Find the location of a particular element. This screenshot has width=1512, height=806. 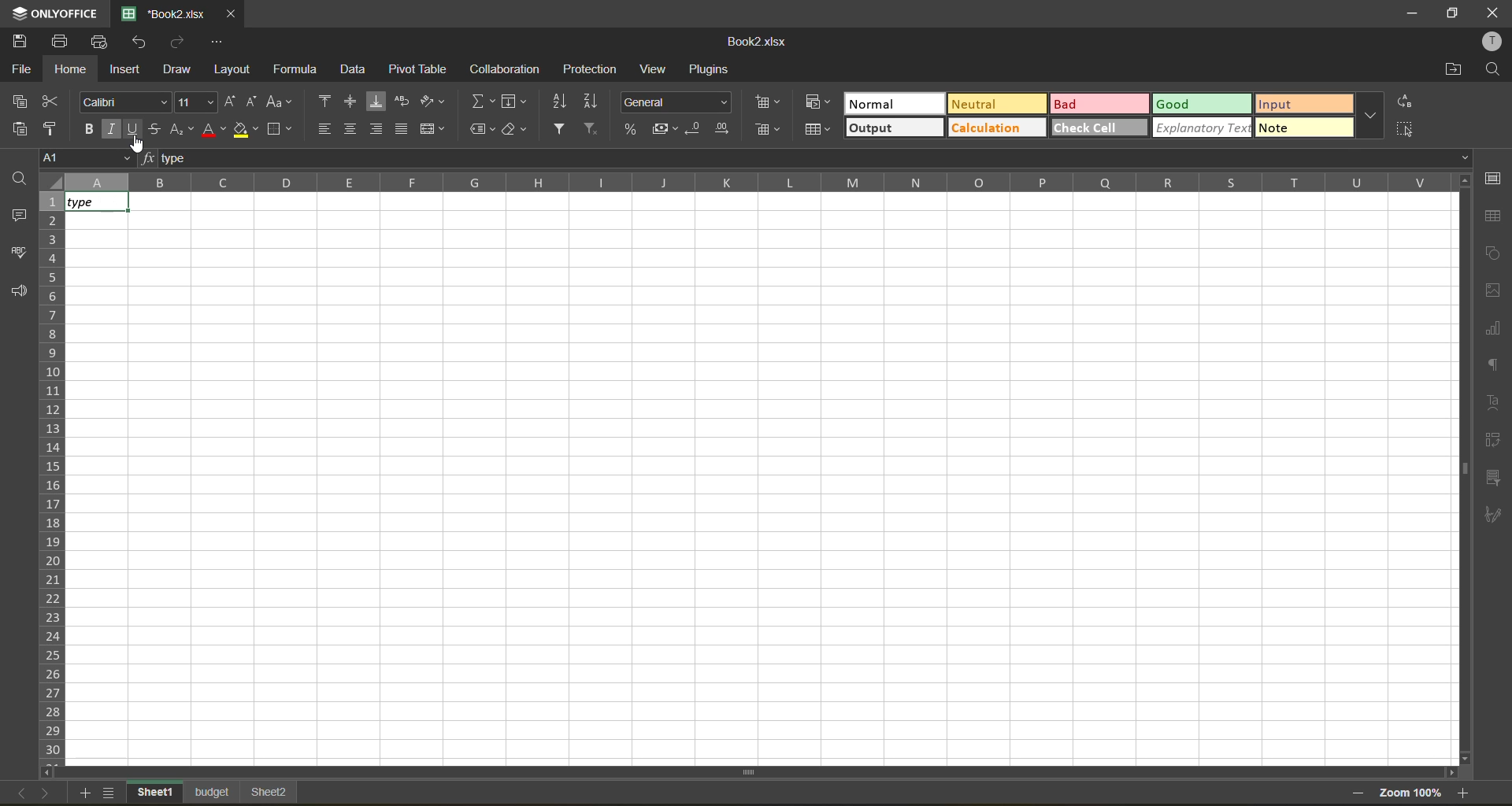

orientation is located at coordinates (433, 101).